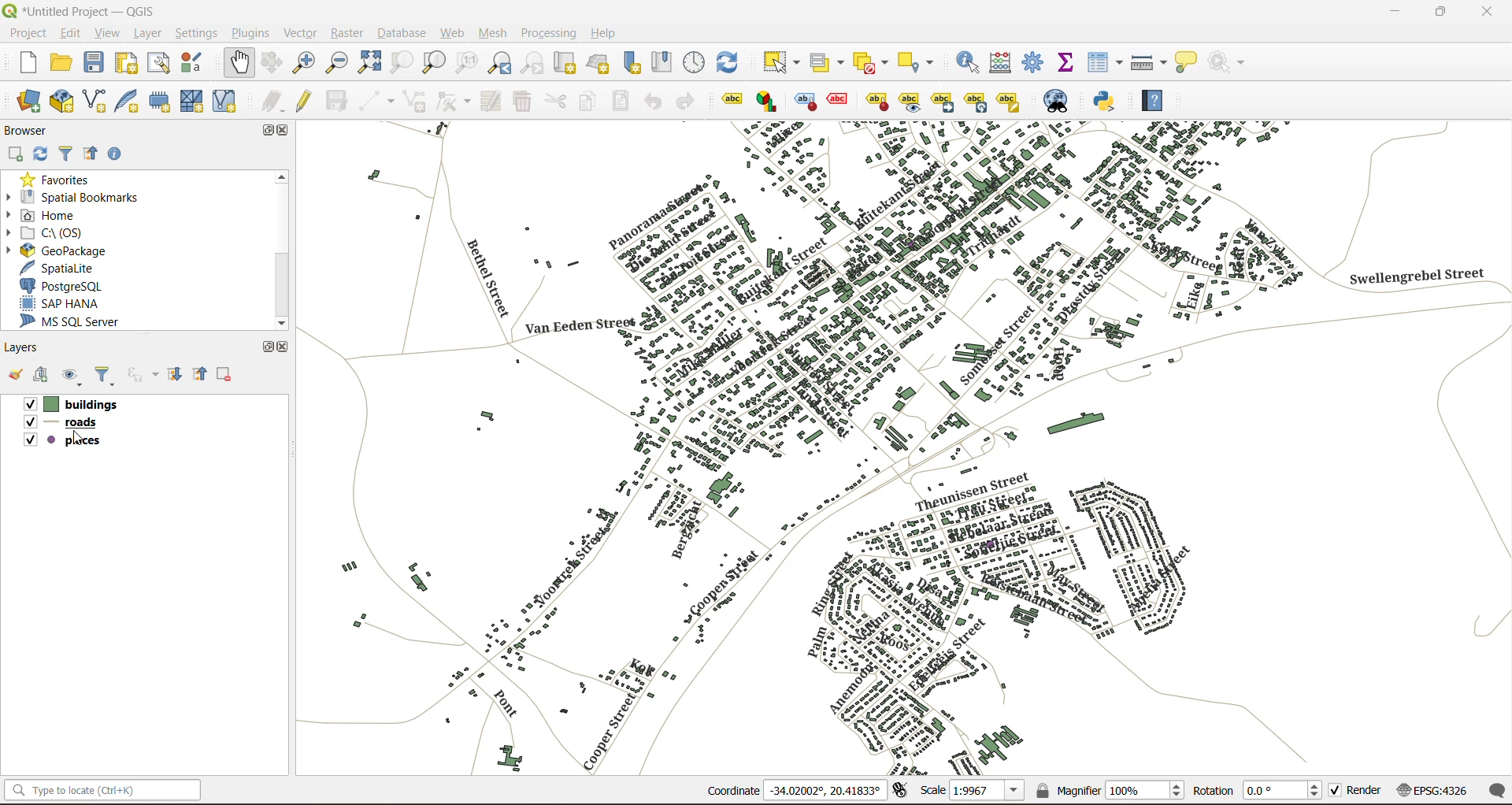  Describe the element at coordinates (454, 103) in the screenshot. I see `vertex tools` at that location.